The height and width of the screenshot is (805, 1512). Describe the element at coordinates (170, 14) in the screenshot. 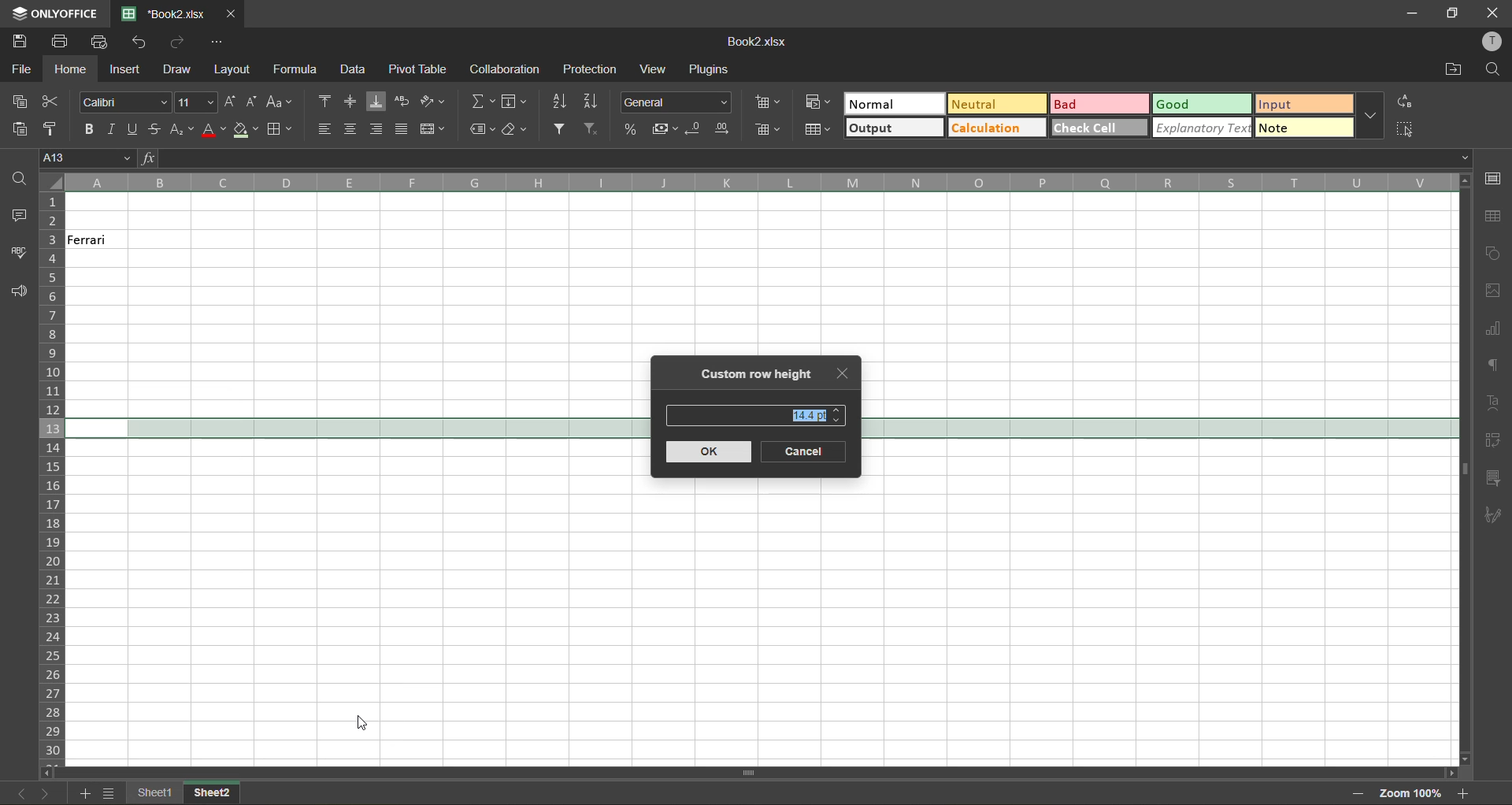

I see `filename` at that location.